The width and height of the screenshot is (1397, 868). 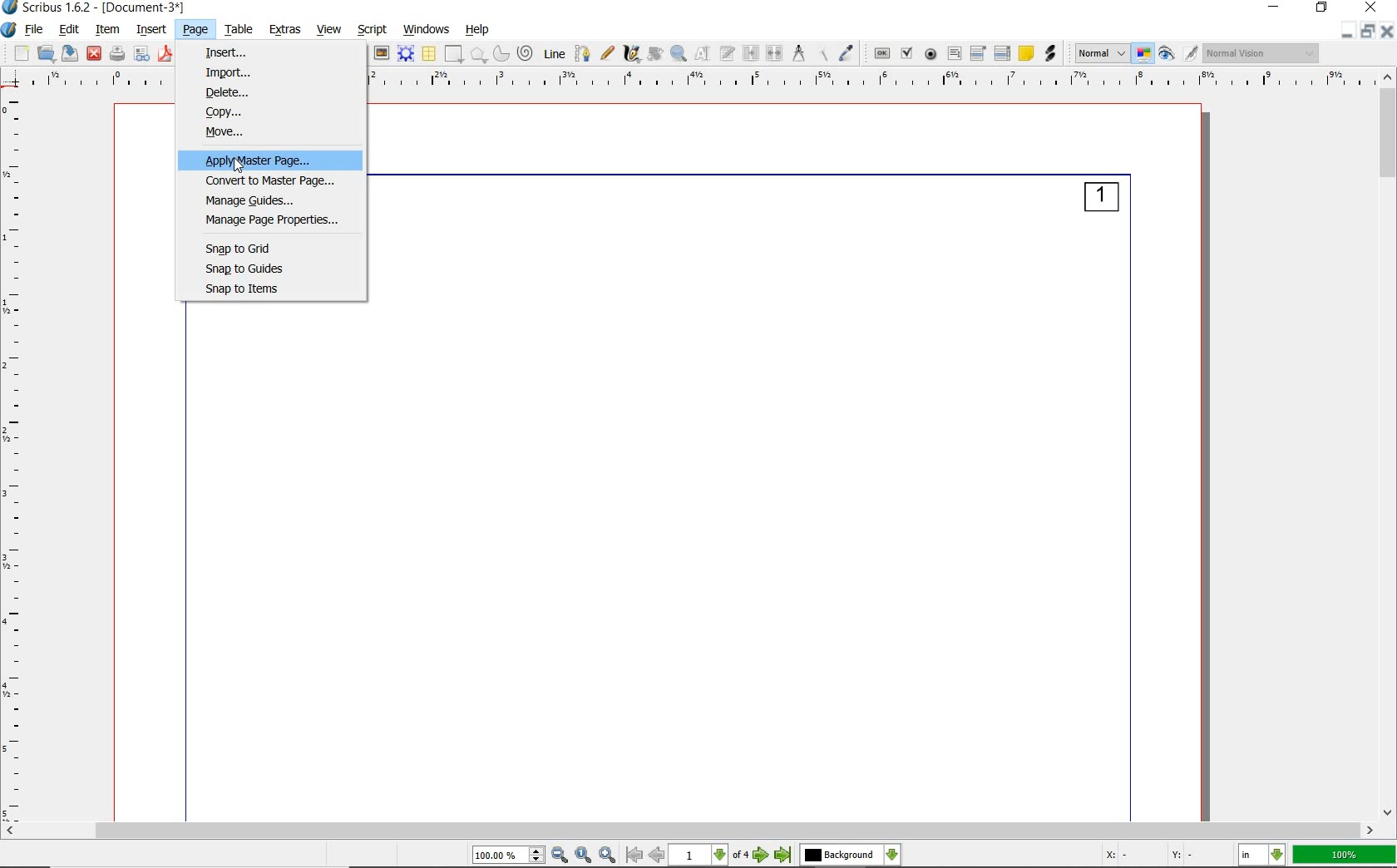 What do you see at coordinates (979, 54) in the screenshot?
I see `pdf combo box` at bounding box center [979, 54].